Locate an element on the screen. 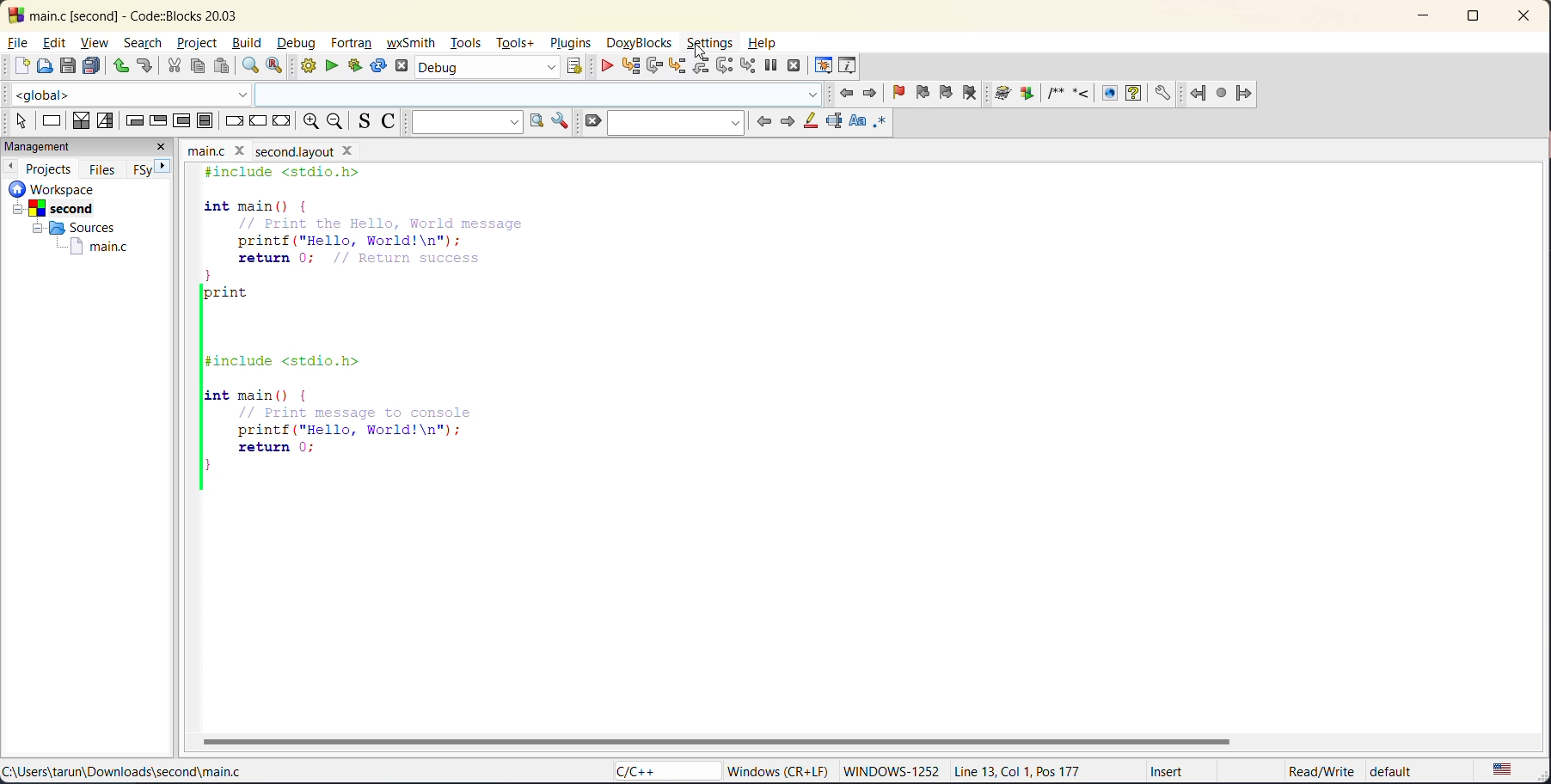 The image size is (1551, 784). show options window is located at coordinates (556, 121).